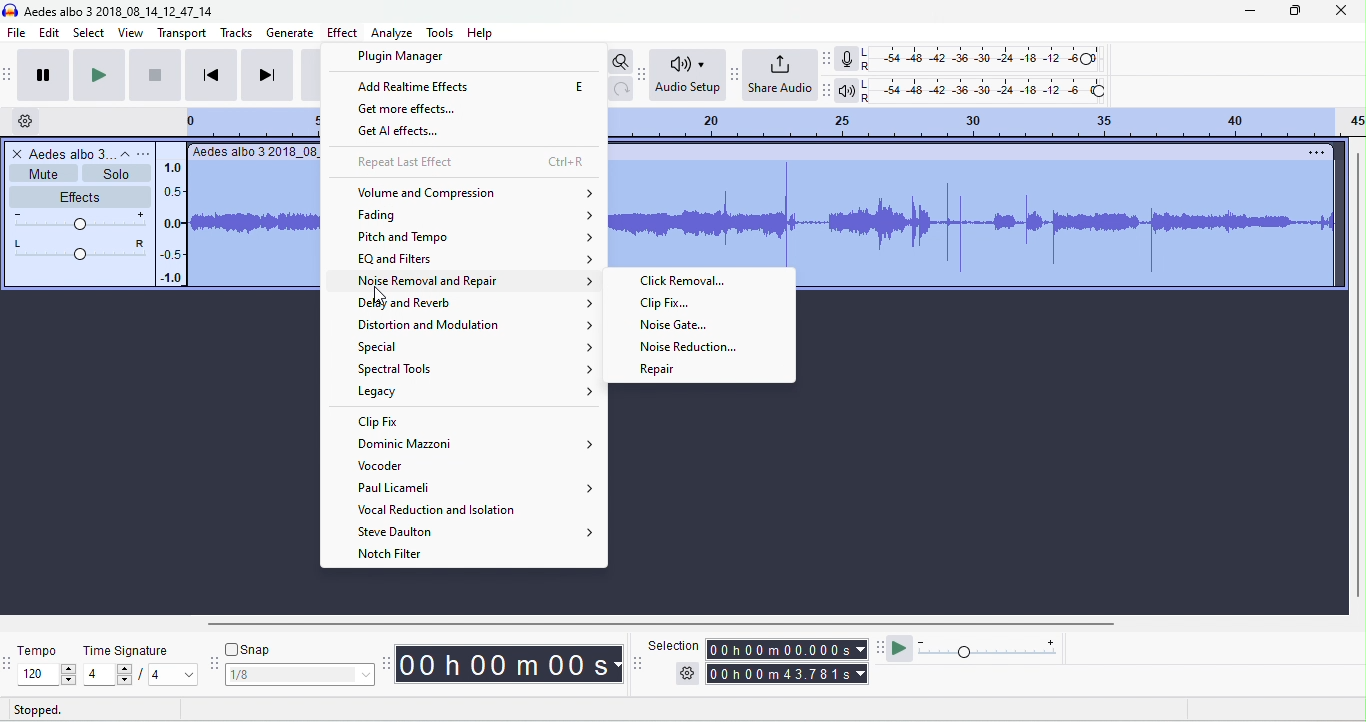 The width and height of the screenshot is (1366, 722). Describe the element at coordinates (289, 33) in the screenshot. I see `generate` at that location.